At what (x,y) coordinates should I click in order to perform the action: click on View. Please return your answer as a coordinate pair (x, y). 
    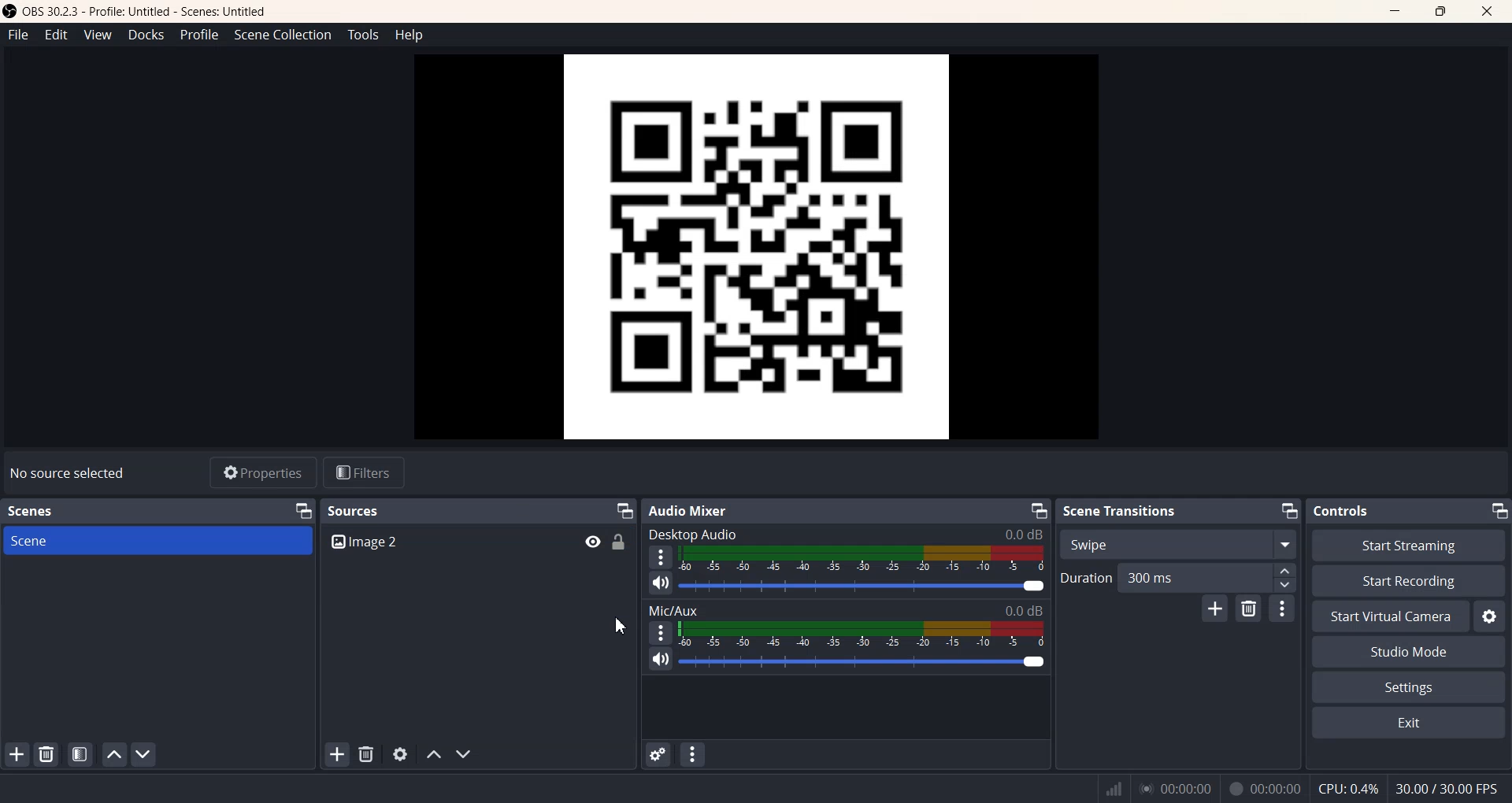
    Looking at the image, I should click on (97, 34).